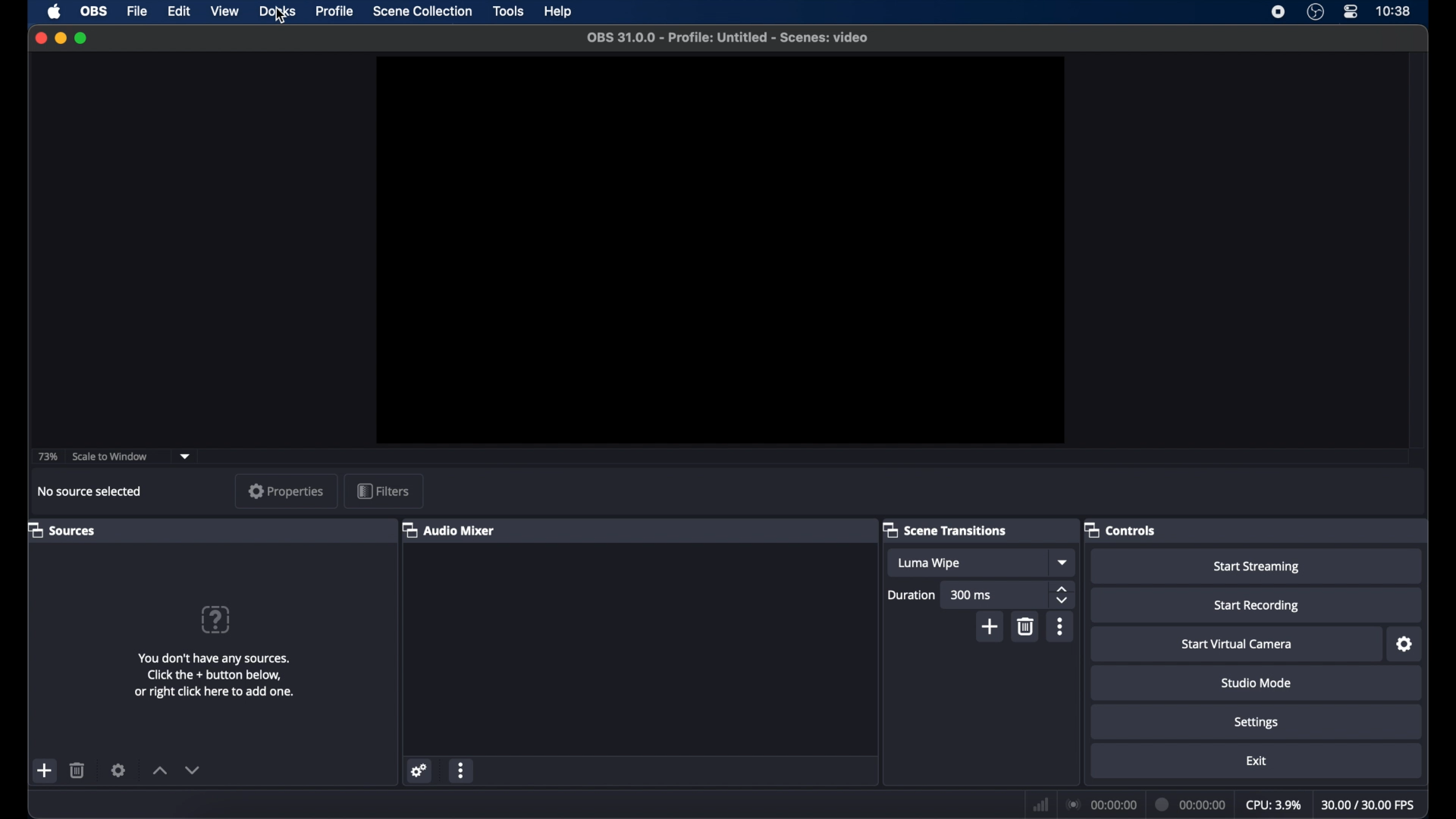 Image resolution: width=1456 pixels, height=819 pixels. What do you see at coordinates (910, 595) in the screenshot?
I see `duration` at bounding box center [910, 595].